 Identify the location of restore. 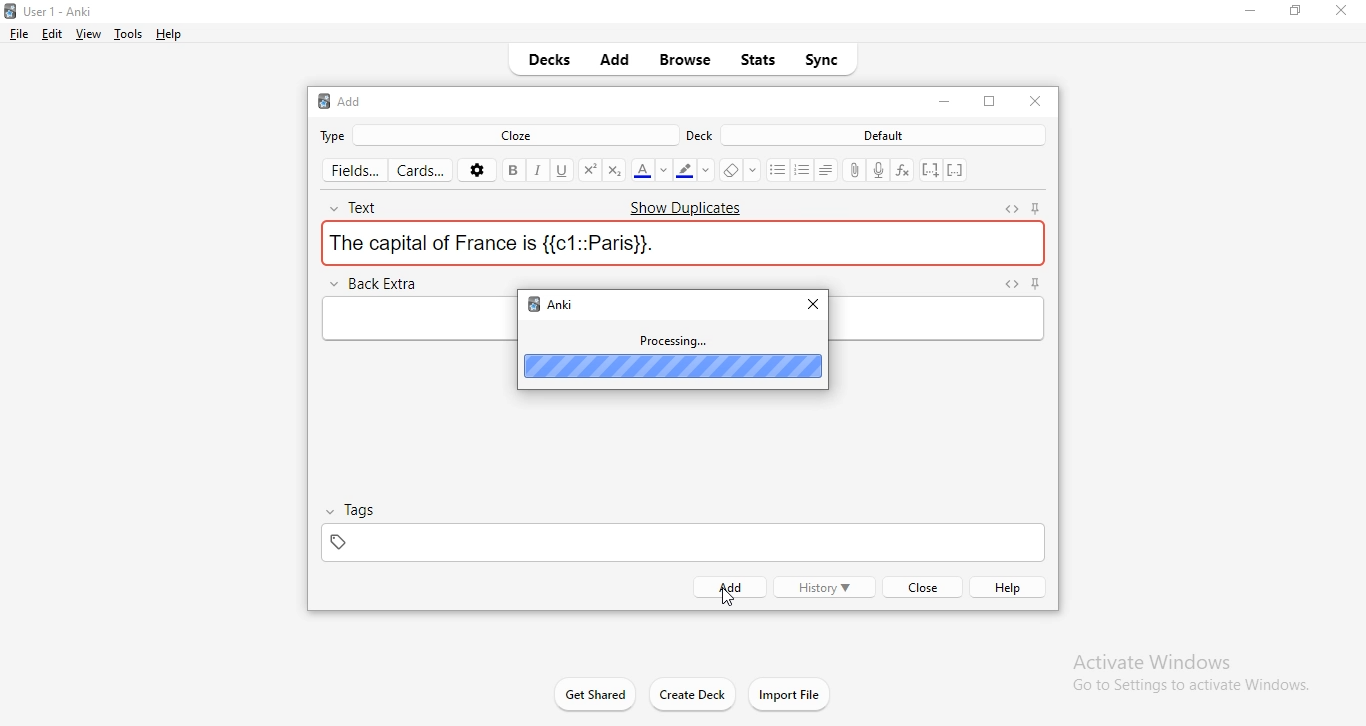
(1292, 16).